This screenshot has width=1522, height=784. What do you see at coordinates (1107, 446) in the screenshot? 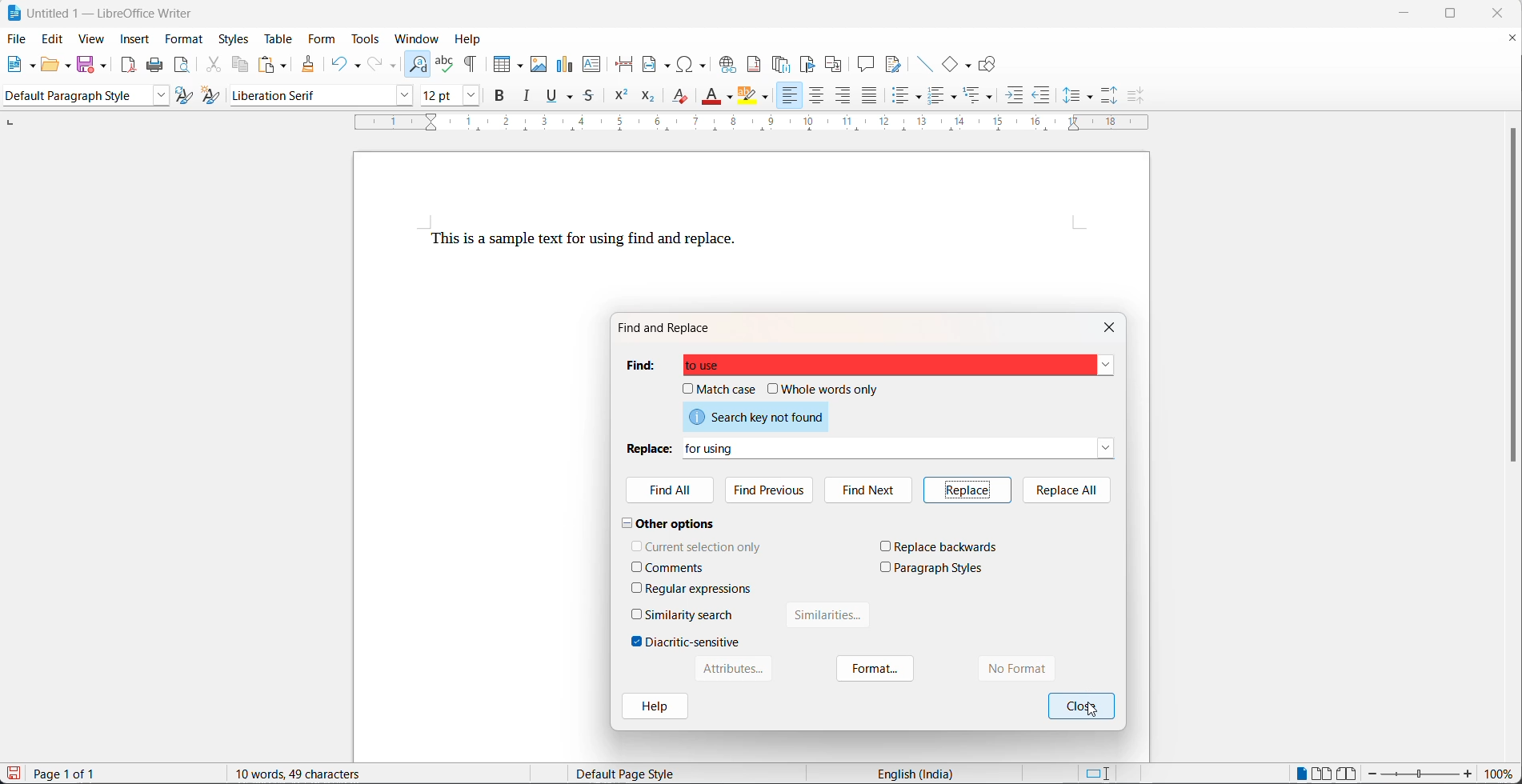
I see `replace dropdown button` at bounding box center [1107, 446].